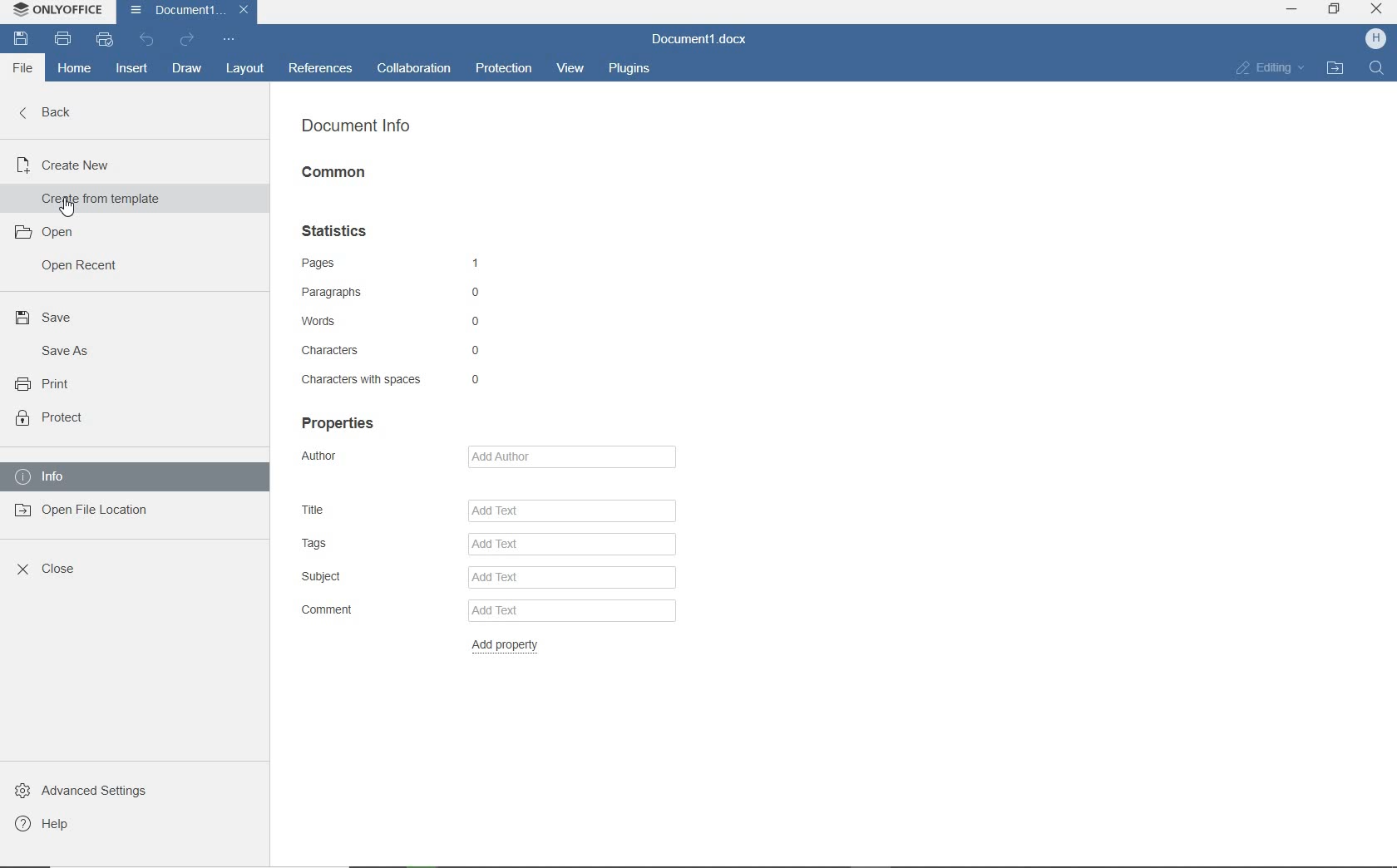 This screenshot has height=868, width=1397. I want to click on undo, so click(149, 42).